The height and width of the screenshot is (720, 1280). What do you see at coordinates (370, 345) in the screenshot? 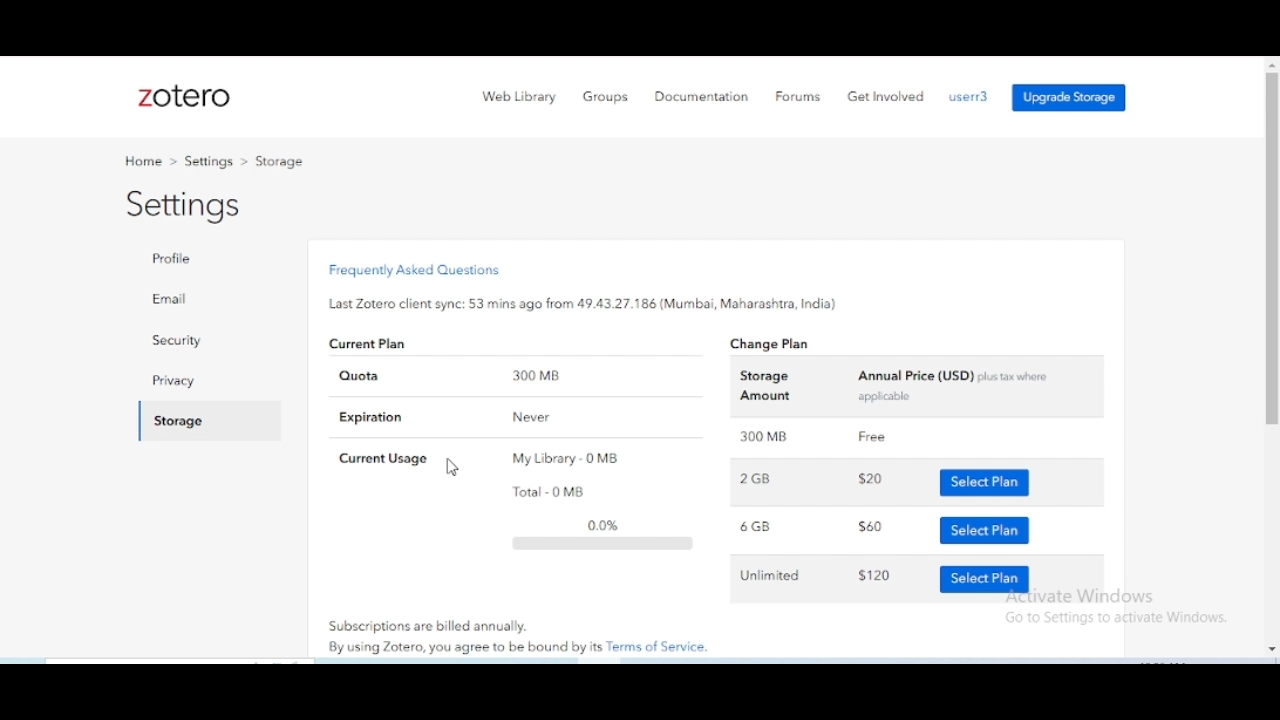
I see `current plan` at bounding box center [370, 345].